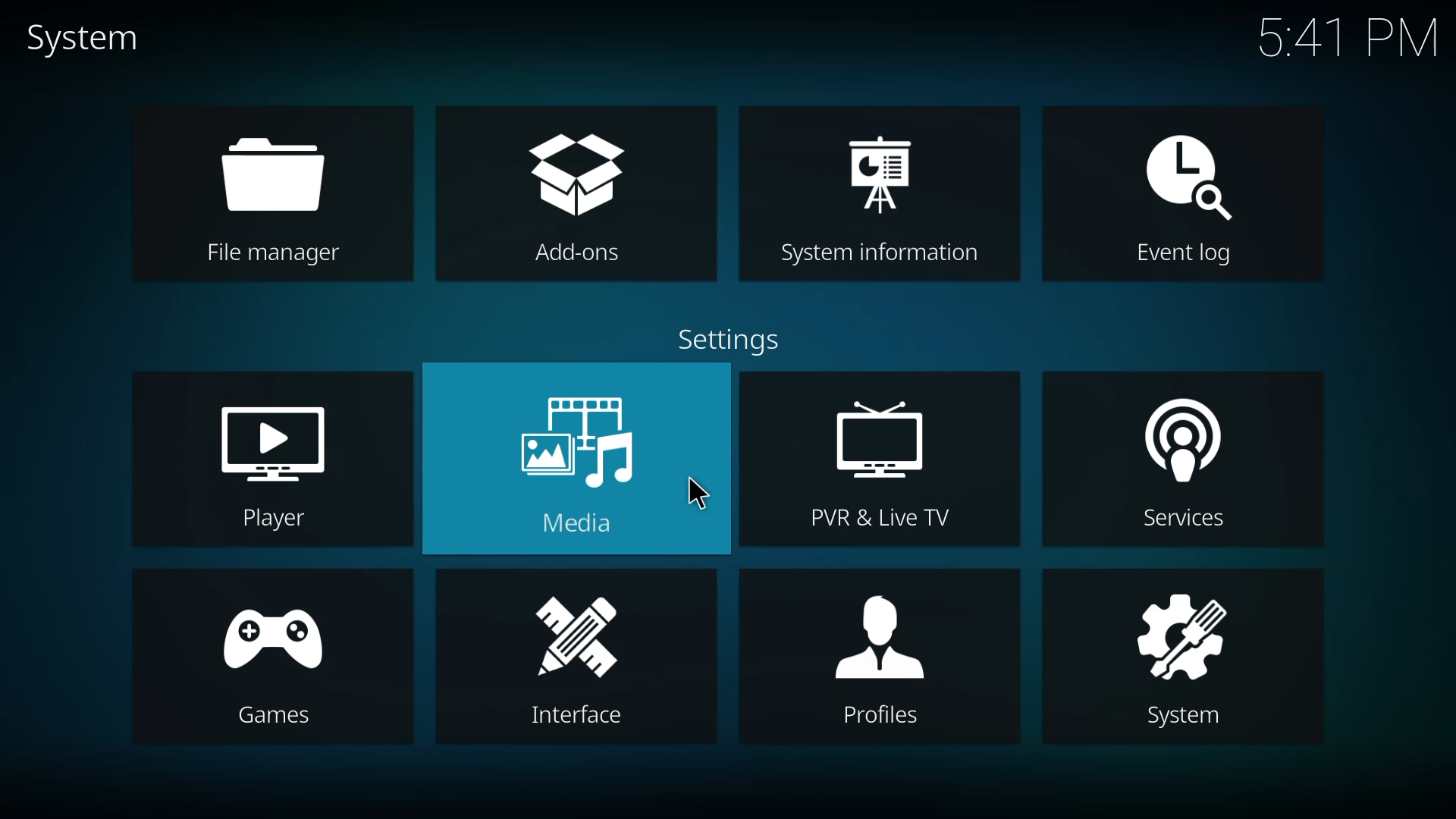  I want to click on cursor, so click(699, 497).